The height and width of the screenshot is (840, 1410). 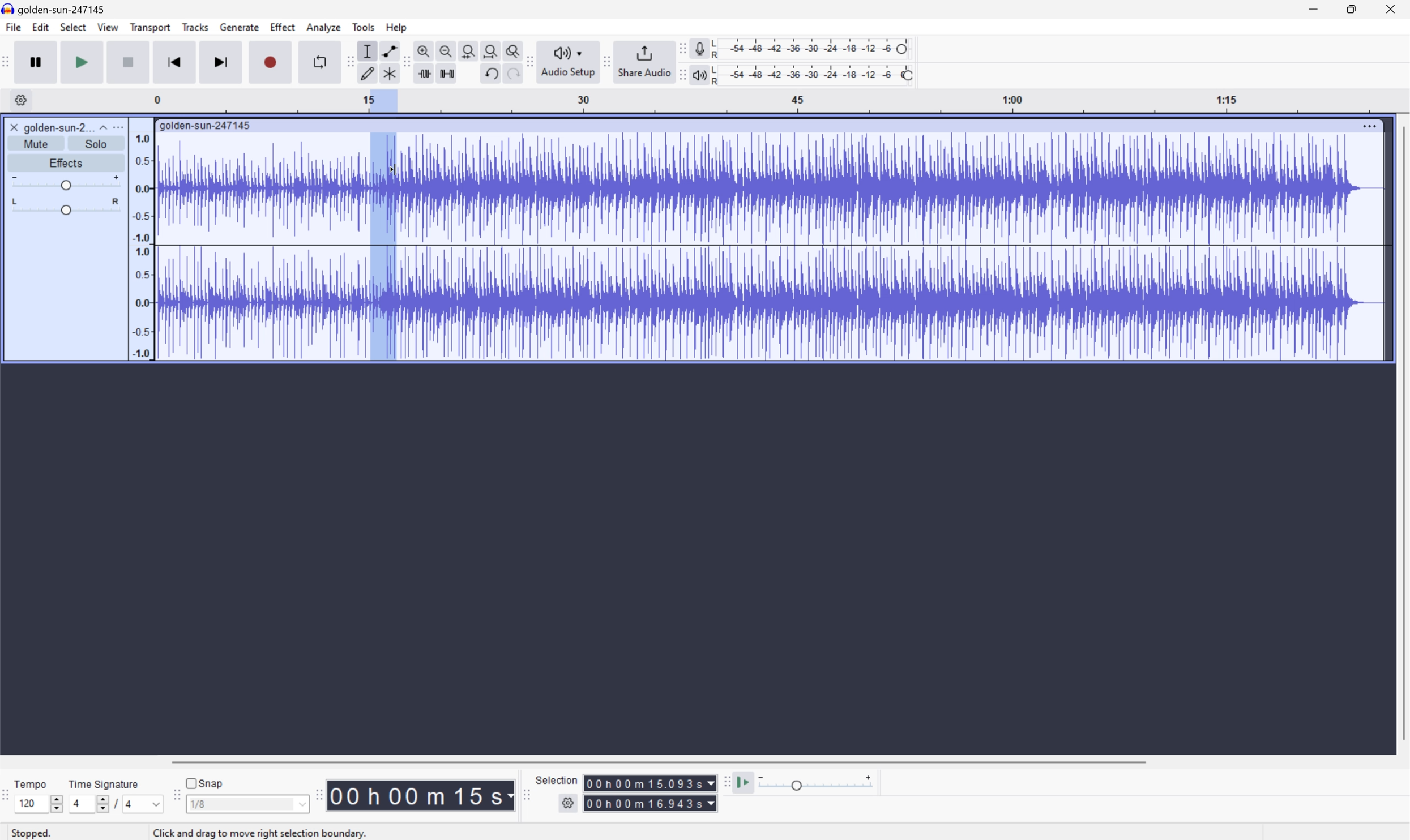 I want to click on Skip to end, so click(x=222, y=62).